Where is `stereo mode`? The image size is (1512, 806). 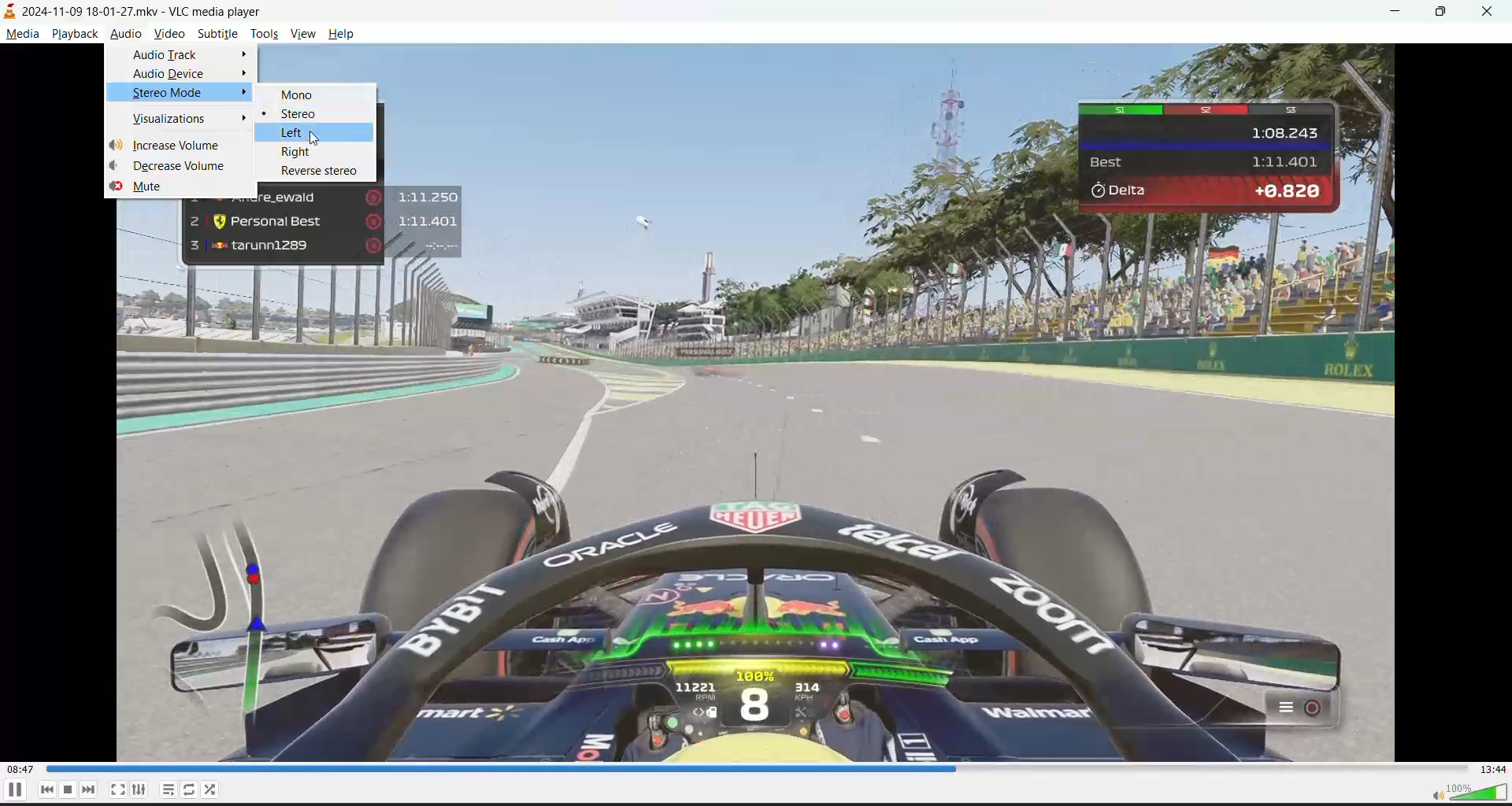 stereo mode is located at coordinates (170, 92).